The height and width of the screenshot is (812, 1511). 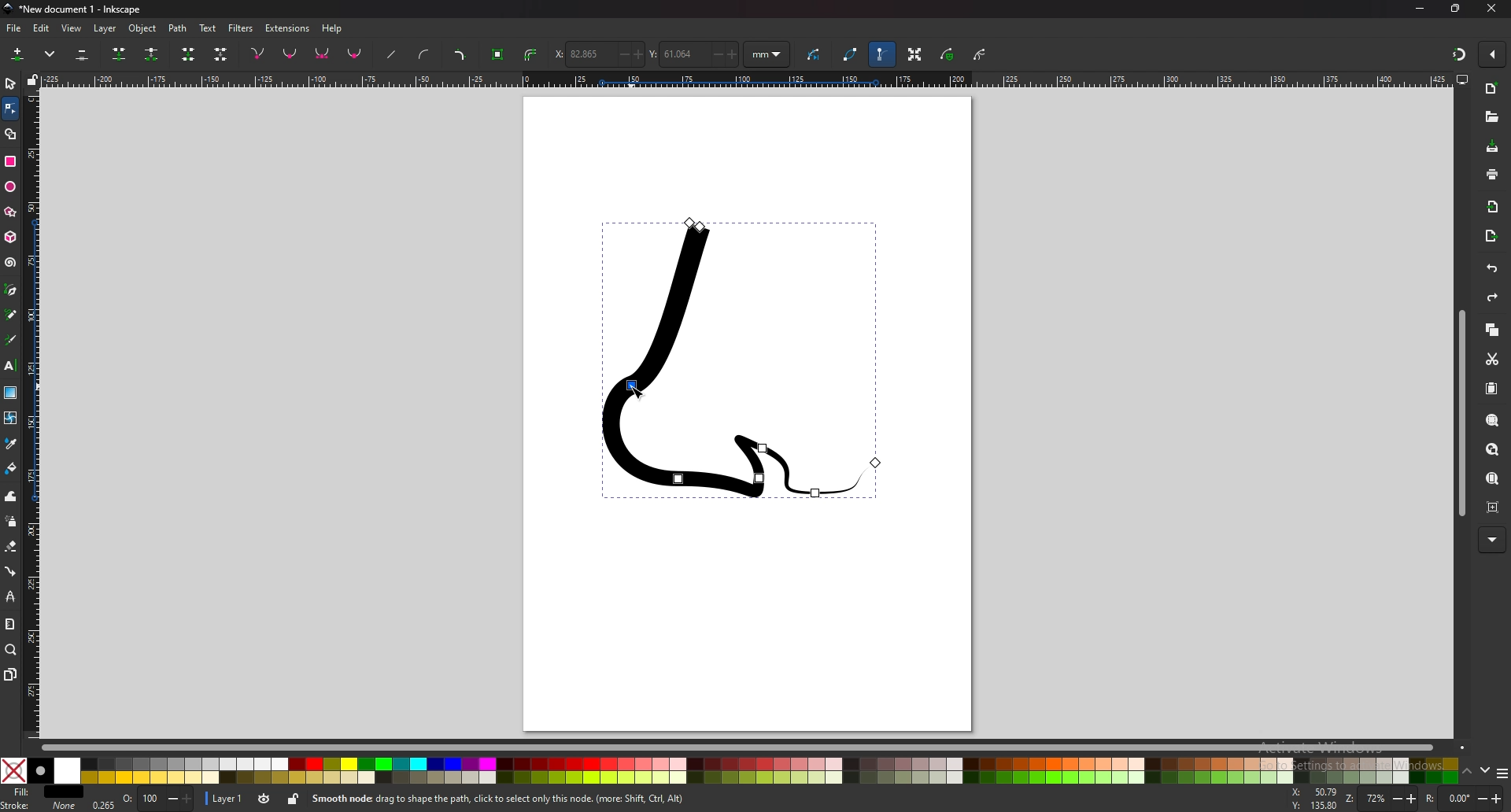 What do you see at coordinates (355, 54) in the screenshot?
I see `auto smooth` at bounding box center [355, 54].